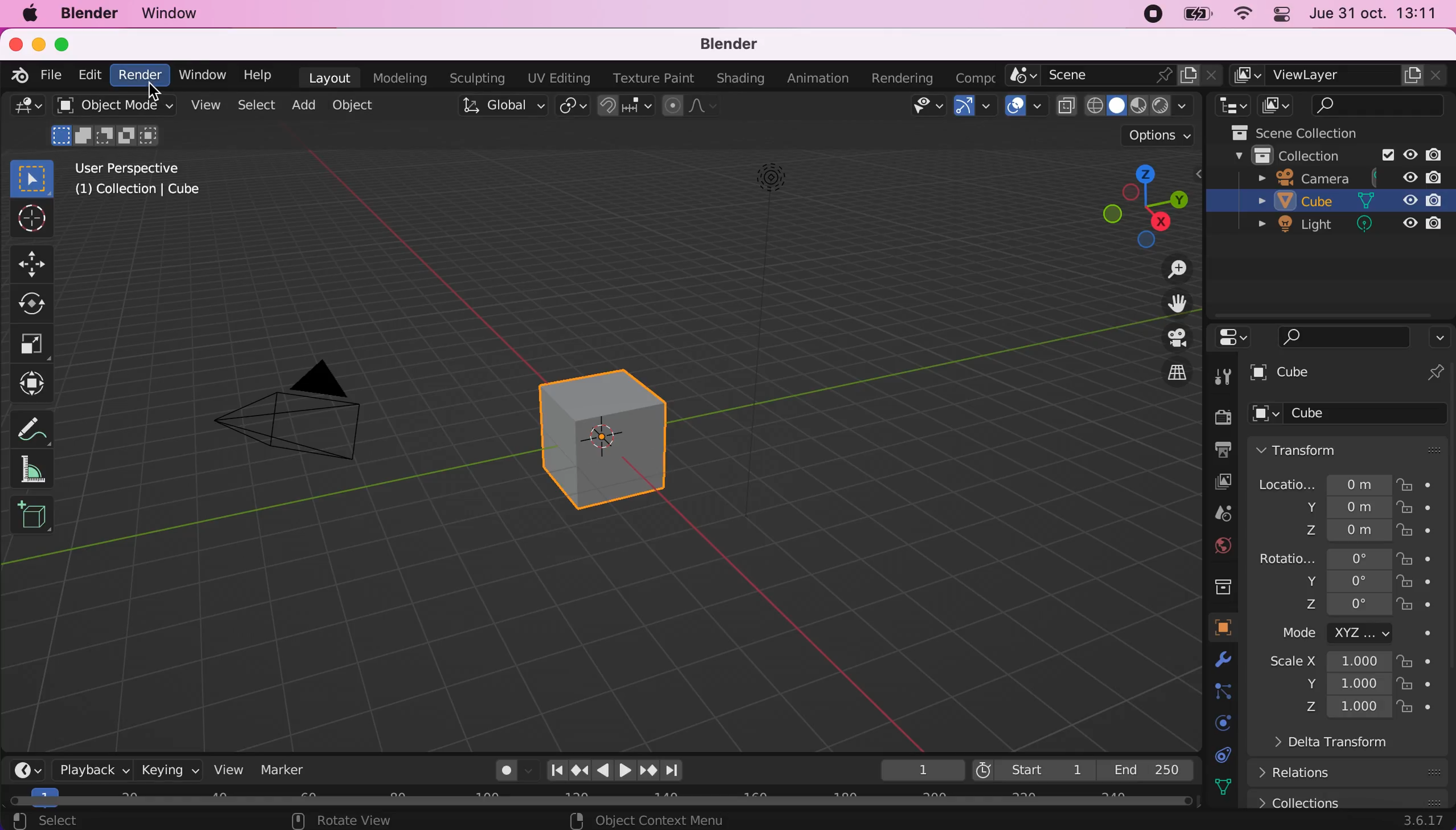 This screenshot has height=830, width=1456. What do you see at coordinates (346, 821) in the screenshot?
I see `rotate view` at bounding box center [346, 821].